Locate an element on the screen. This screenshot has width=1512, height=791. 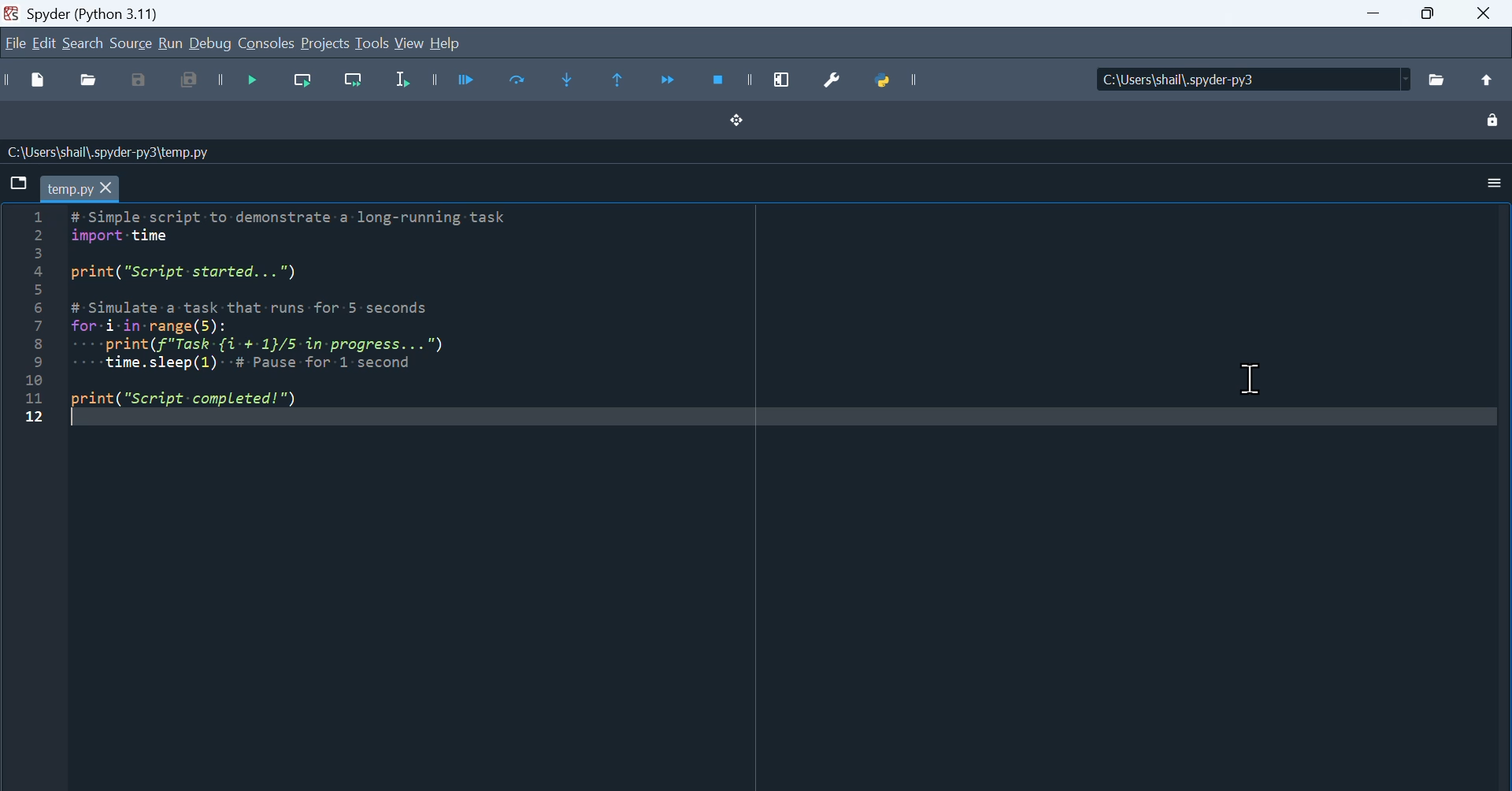
File is located at coordinates (1439, 78).